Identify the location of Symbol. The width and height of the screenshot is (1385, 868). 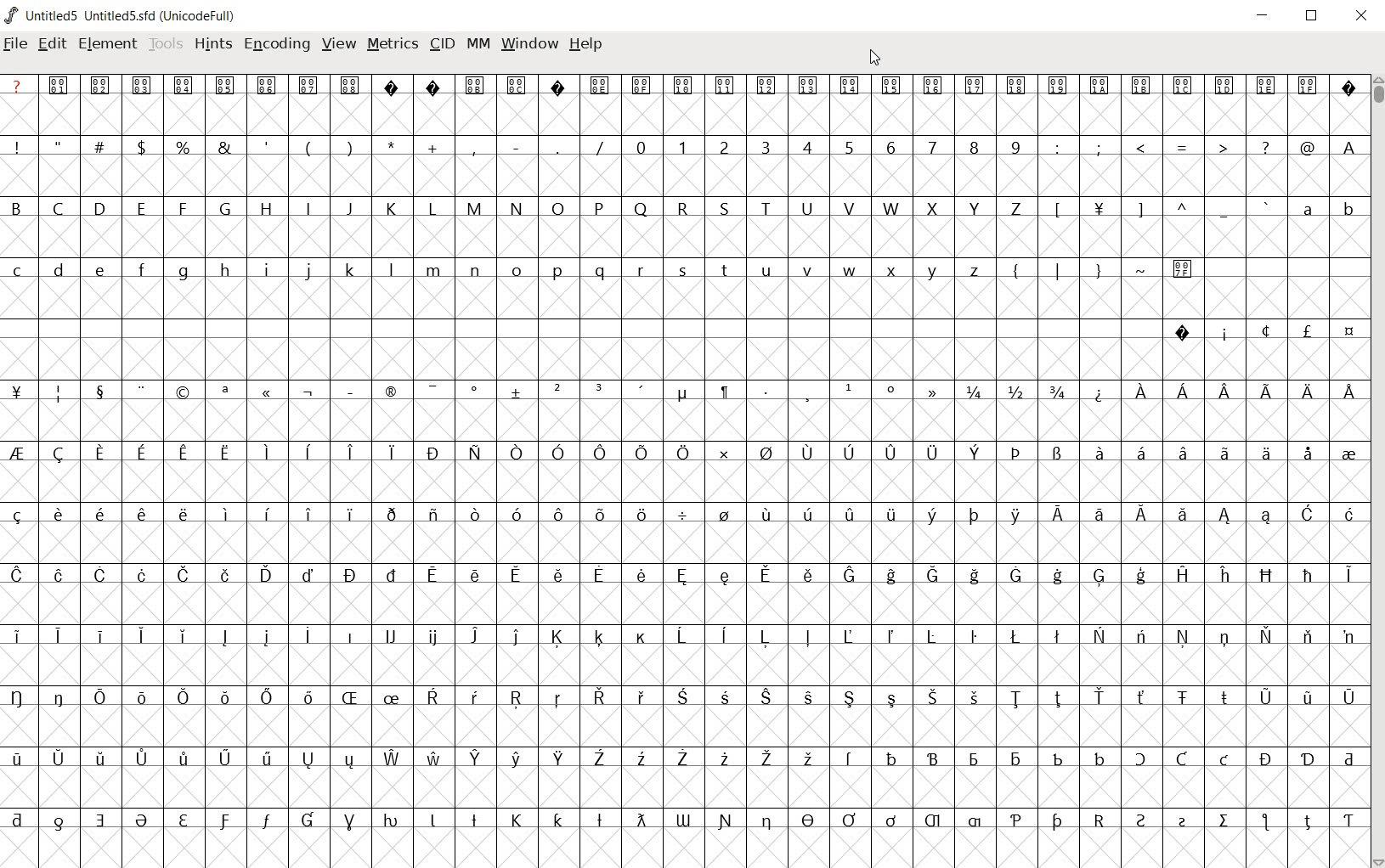
(1308, 576).